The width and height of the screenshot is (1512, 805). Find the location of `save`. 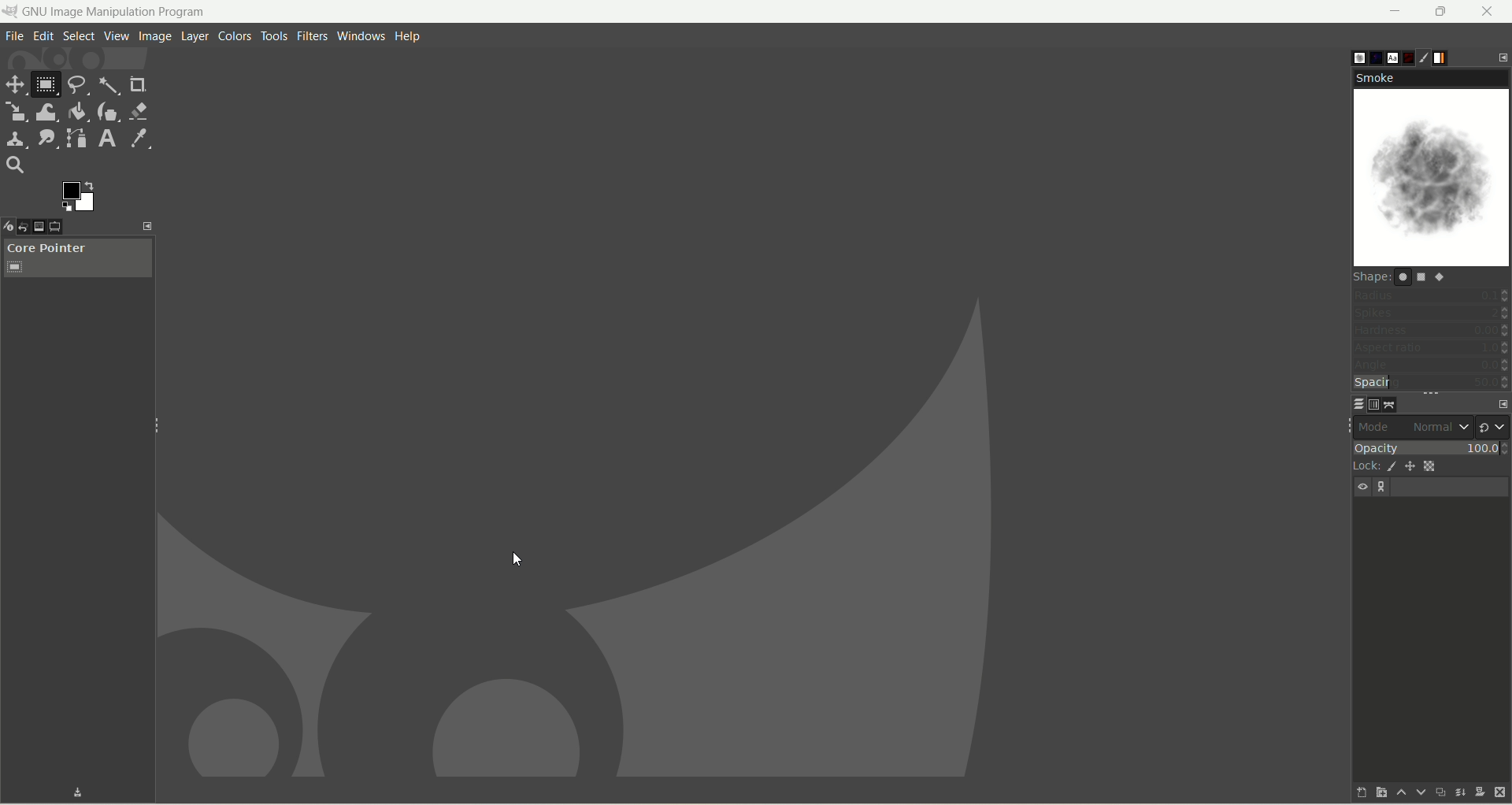

save is located at coordinates (65, 792).